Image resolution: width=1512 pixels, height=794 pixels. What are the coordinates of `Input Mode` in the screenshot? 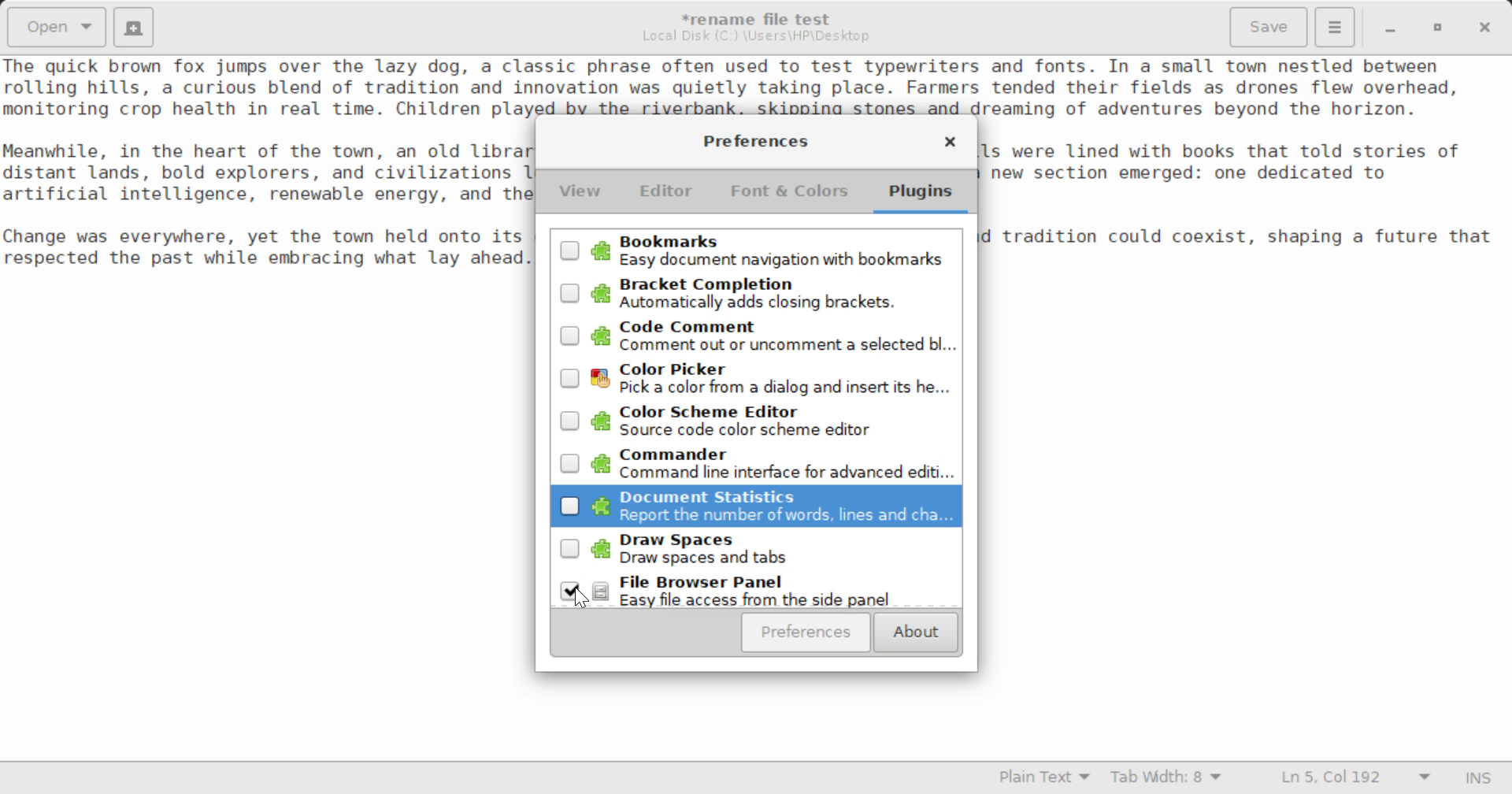 It's located at (1478, 780).